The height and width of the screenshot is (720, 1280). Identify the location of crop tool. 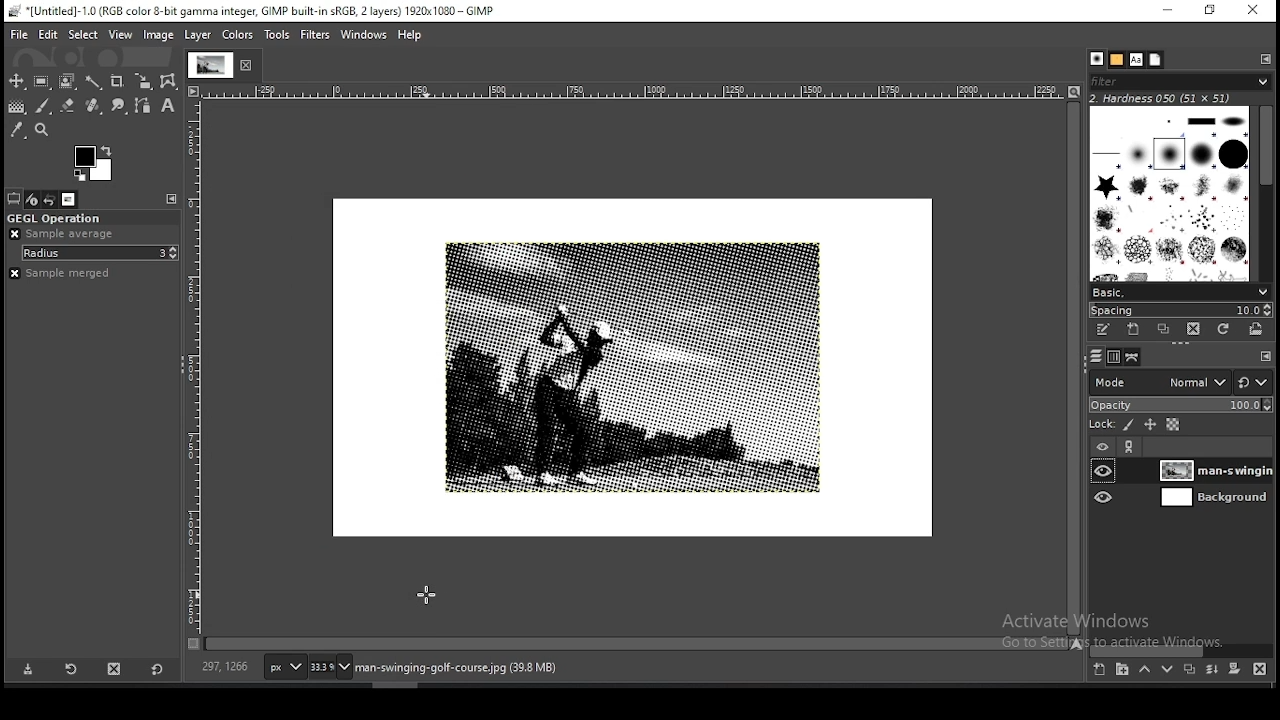
(119, 82).